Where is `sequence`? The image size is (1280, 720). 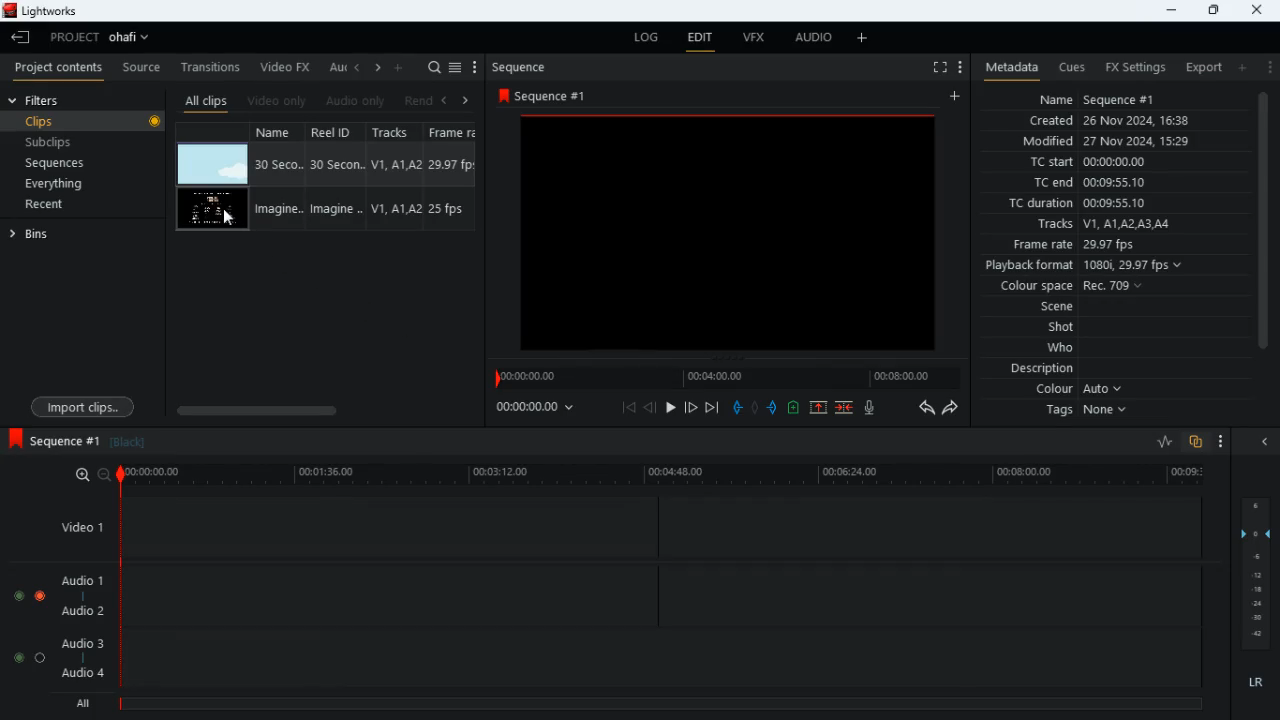 sequence is located at coordinates (558, 95).